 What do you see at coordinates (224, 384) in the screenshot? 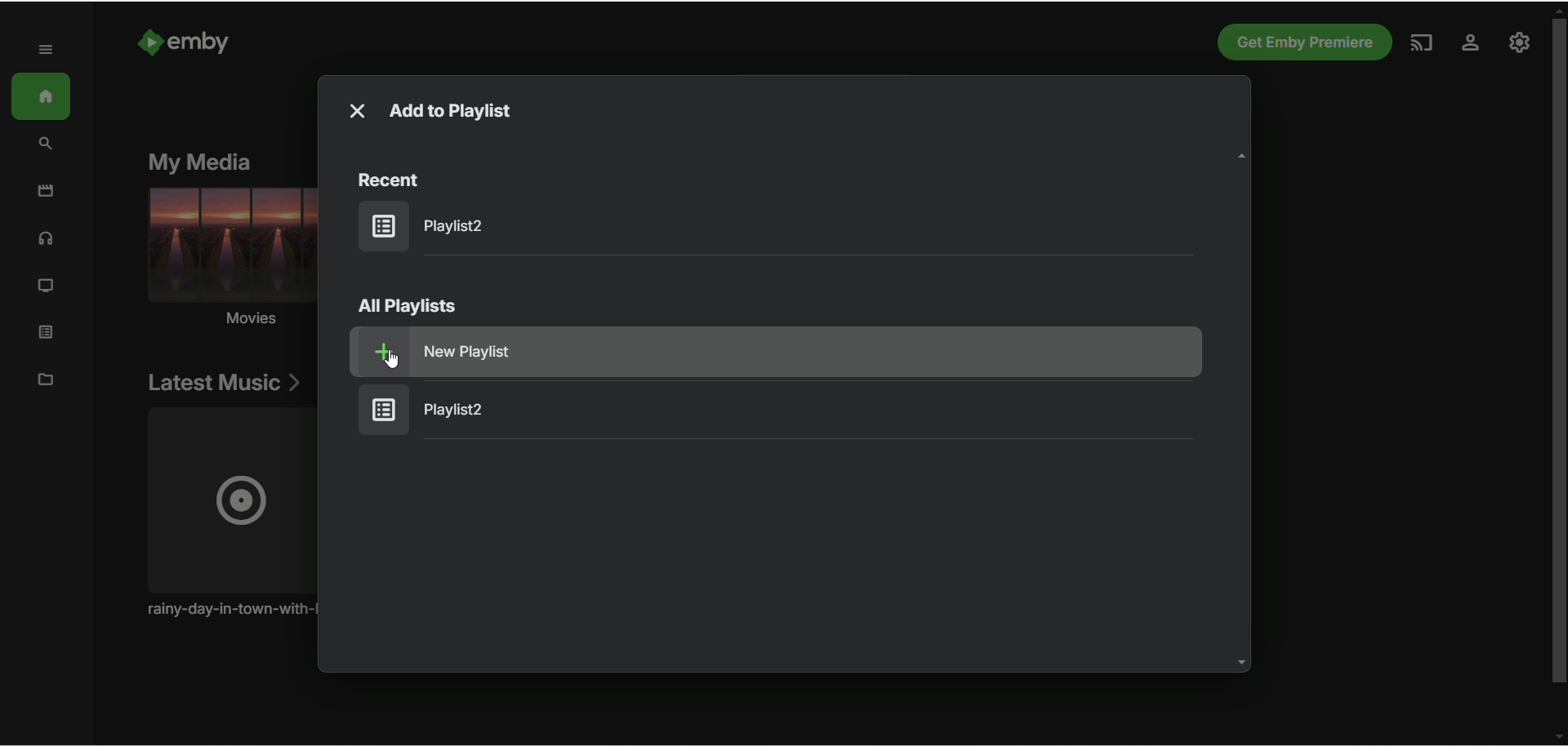
I see `latest music` at bounding box center [224, 384].